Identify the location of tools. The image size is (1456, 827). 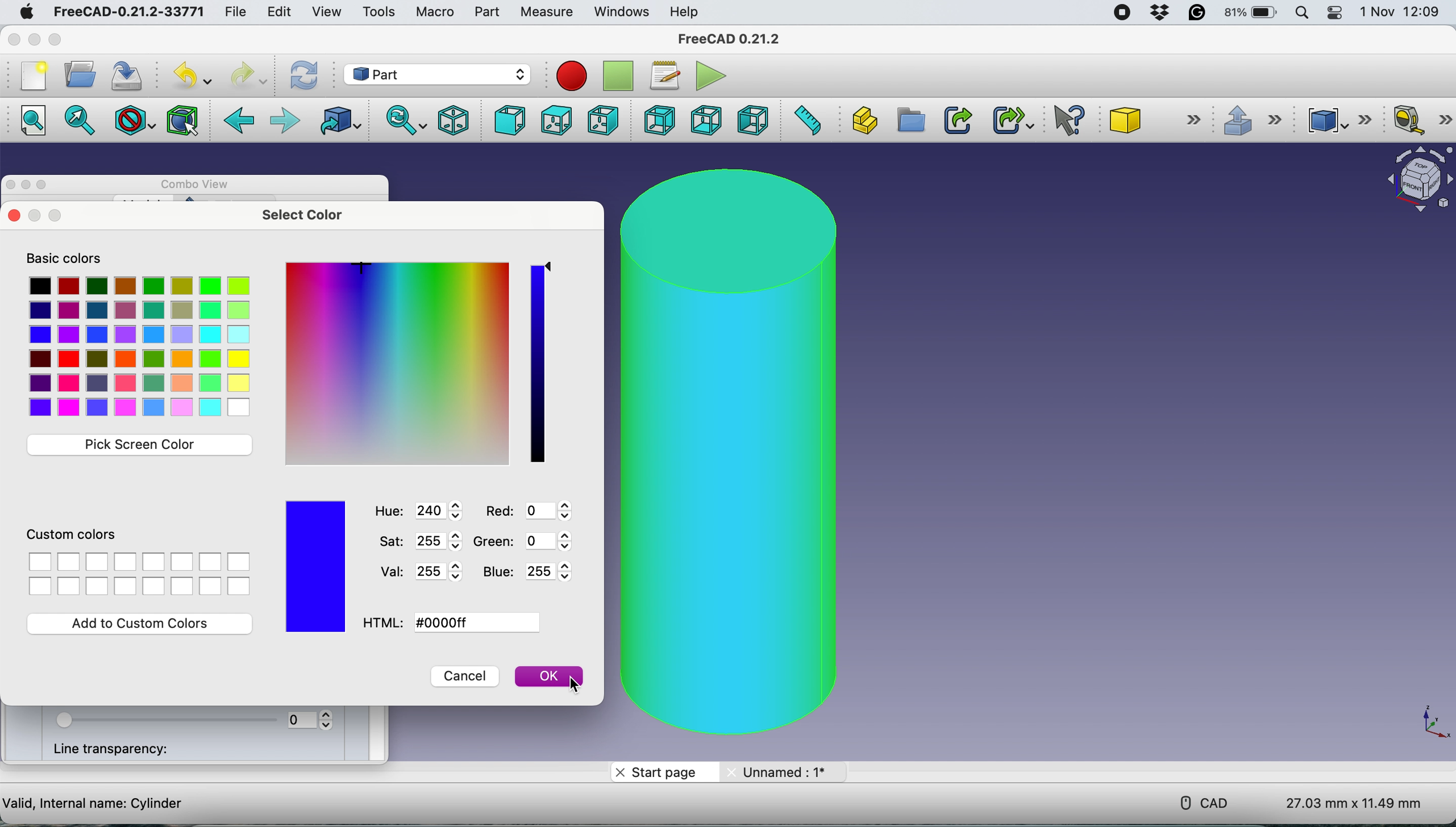
(382, 12).